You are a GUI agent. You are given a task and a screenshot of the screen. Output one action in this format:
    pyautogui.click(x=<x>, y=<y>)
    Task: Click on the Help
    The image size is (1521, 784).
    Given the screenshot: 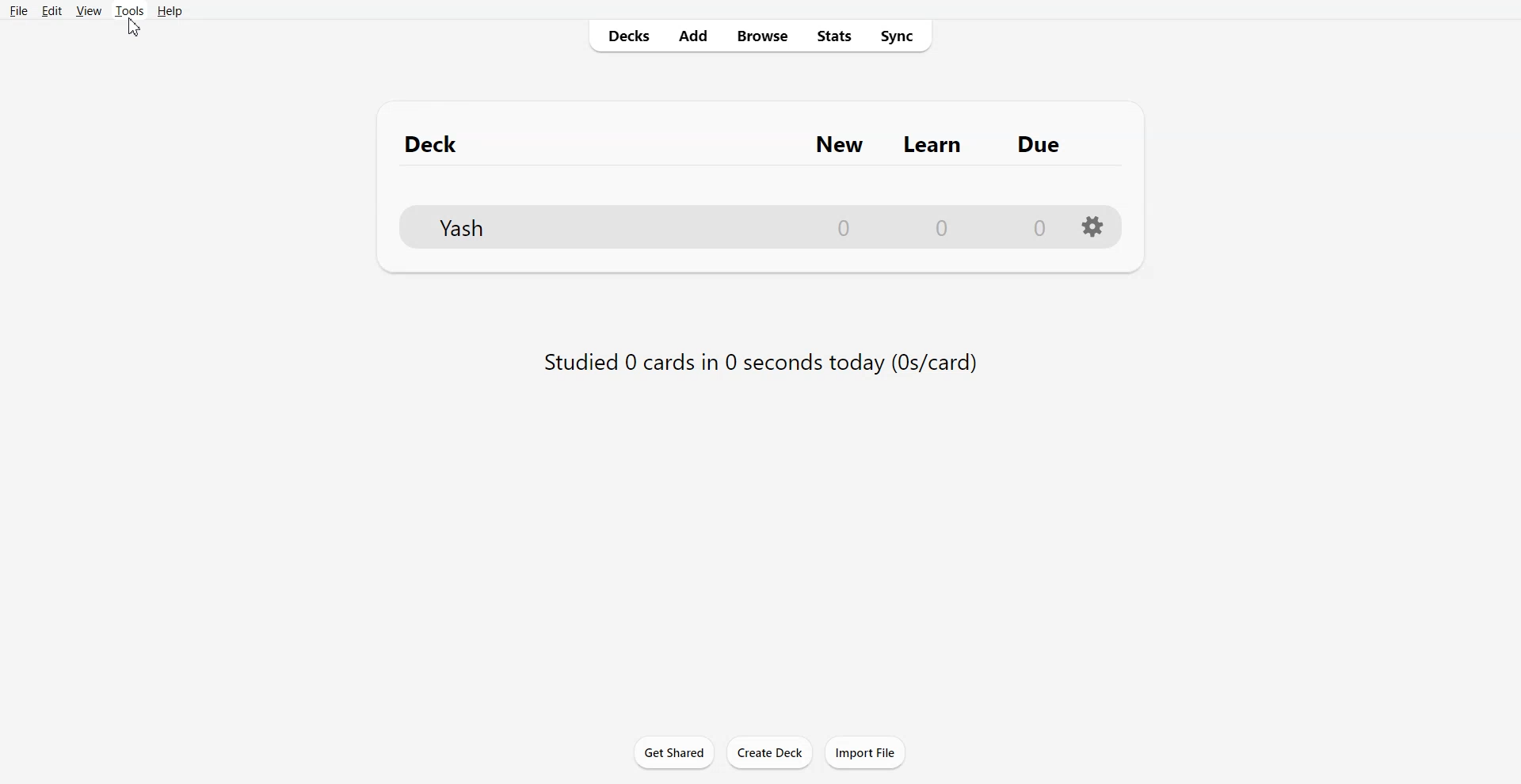 What is the action you would take?
    pyautogui.click(x=169, y=11)
    